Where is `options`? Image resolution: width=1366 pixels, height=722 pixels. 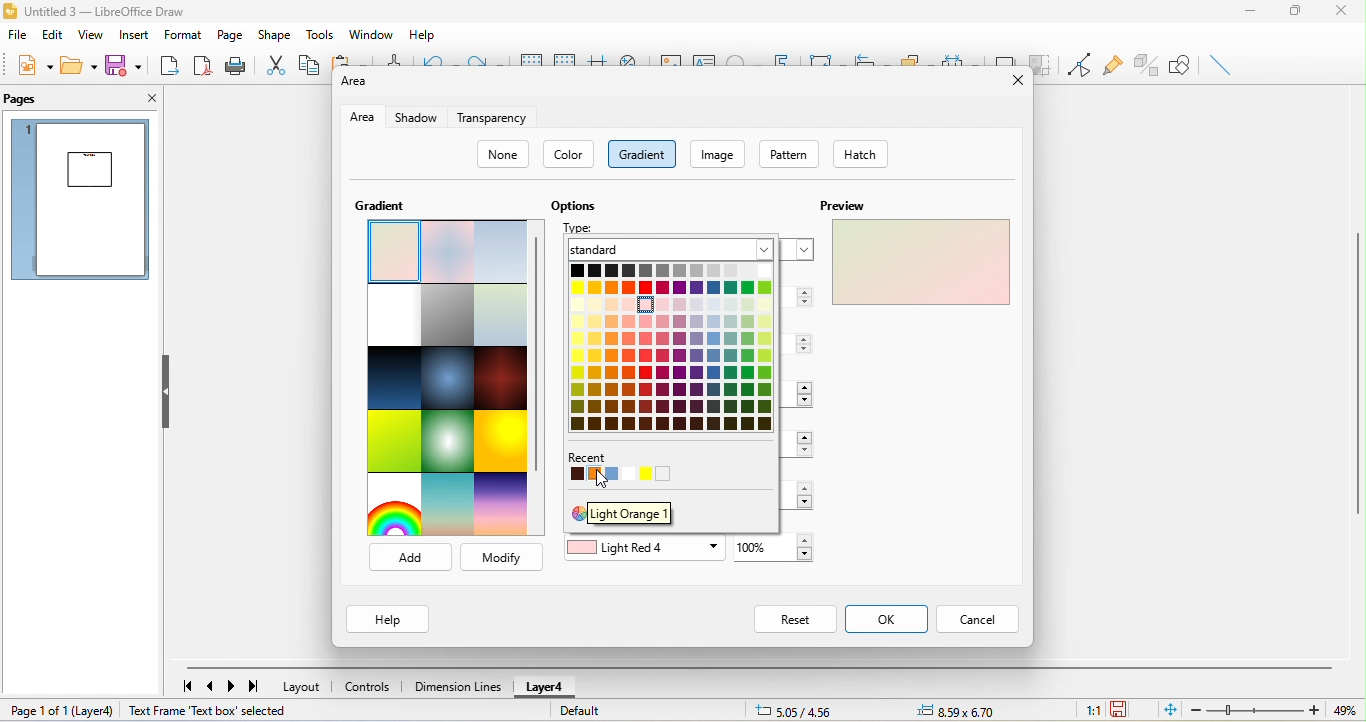
options is located at coordinates (573, 206).